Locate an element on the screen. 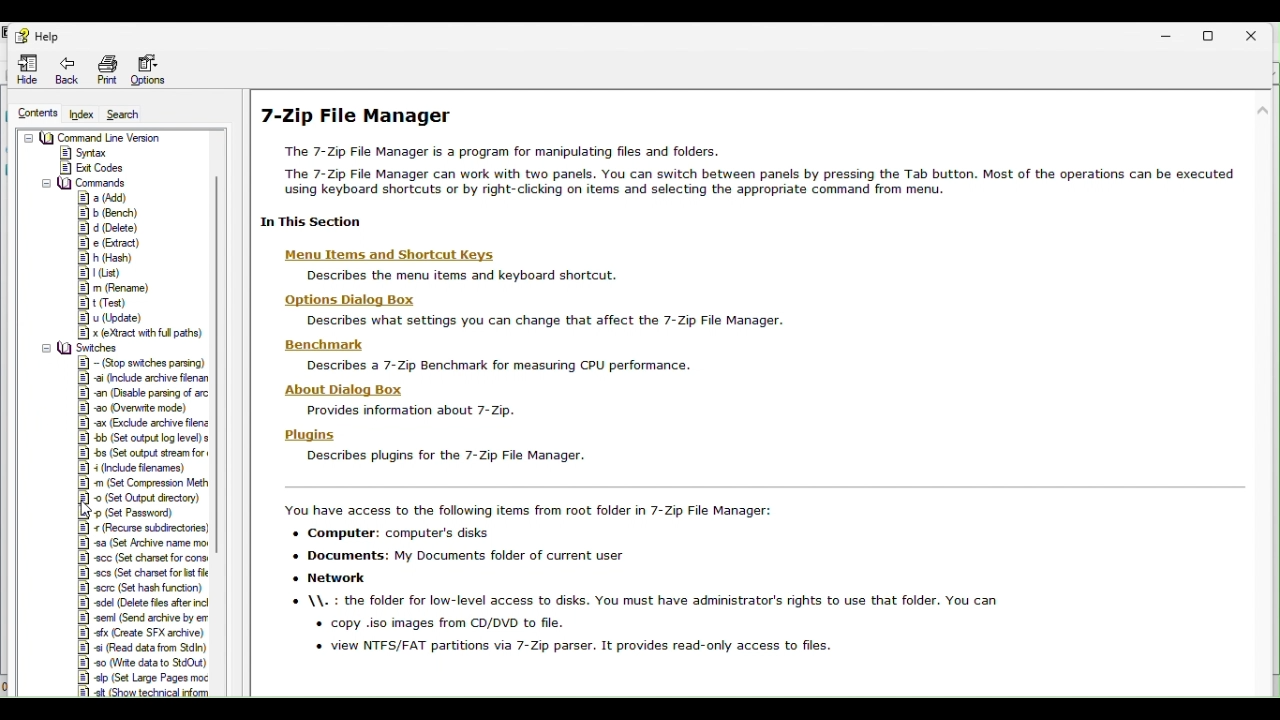  File manager  is located at coordinates (127, 167).